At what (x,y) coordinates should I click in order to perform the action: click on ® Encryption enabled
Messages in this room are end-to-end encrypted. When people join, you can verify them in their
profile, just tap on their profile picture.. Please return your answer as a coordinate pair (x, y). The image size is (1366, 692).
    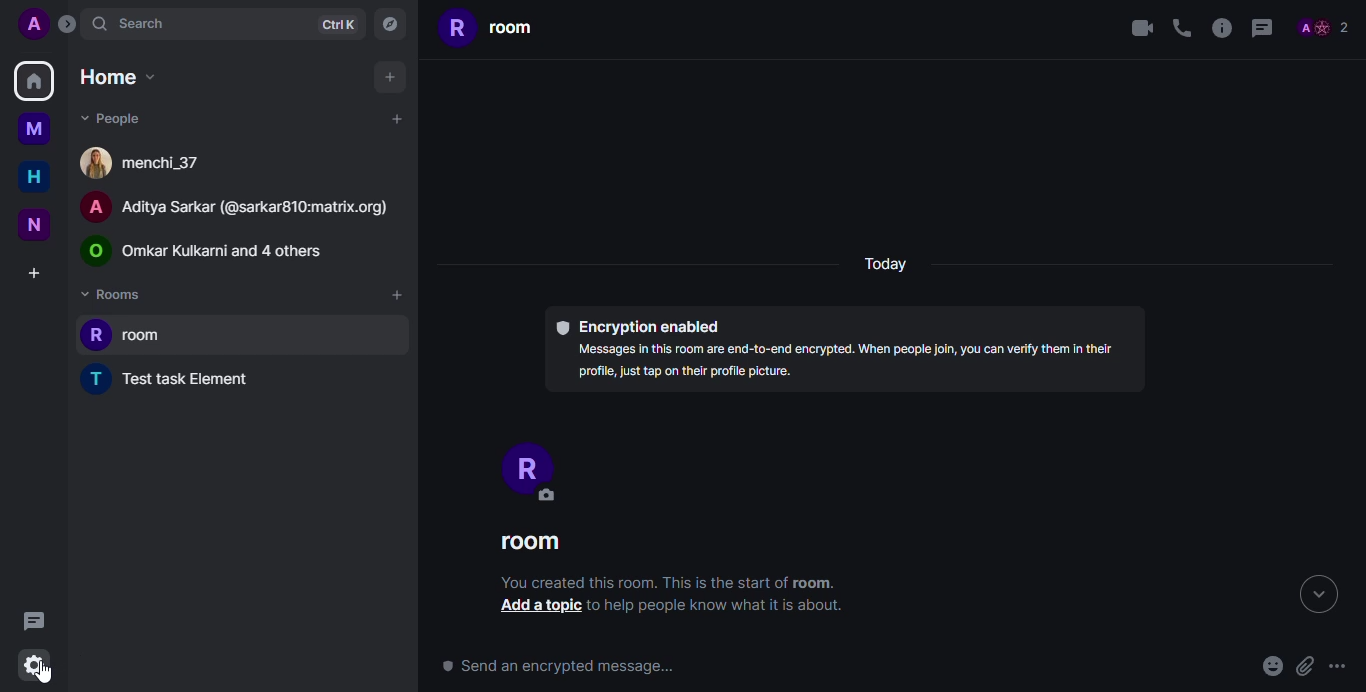
    Looking at the image, I should click on (844, 352).